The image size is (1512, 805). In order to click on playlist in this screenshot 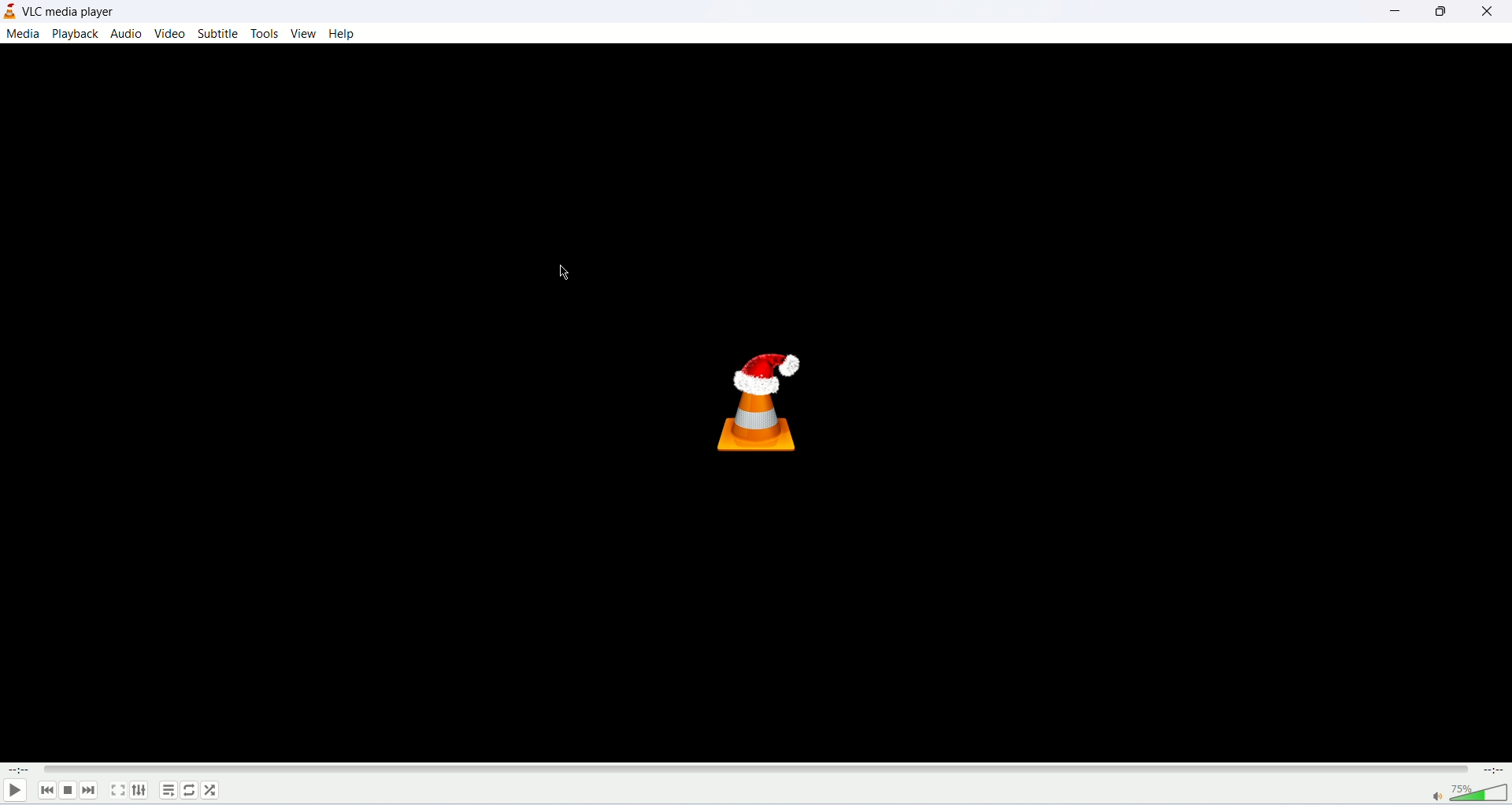, I will do `click(166, 789)`.